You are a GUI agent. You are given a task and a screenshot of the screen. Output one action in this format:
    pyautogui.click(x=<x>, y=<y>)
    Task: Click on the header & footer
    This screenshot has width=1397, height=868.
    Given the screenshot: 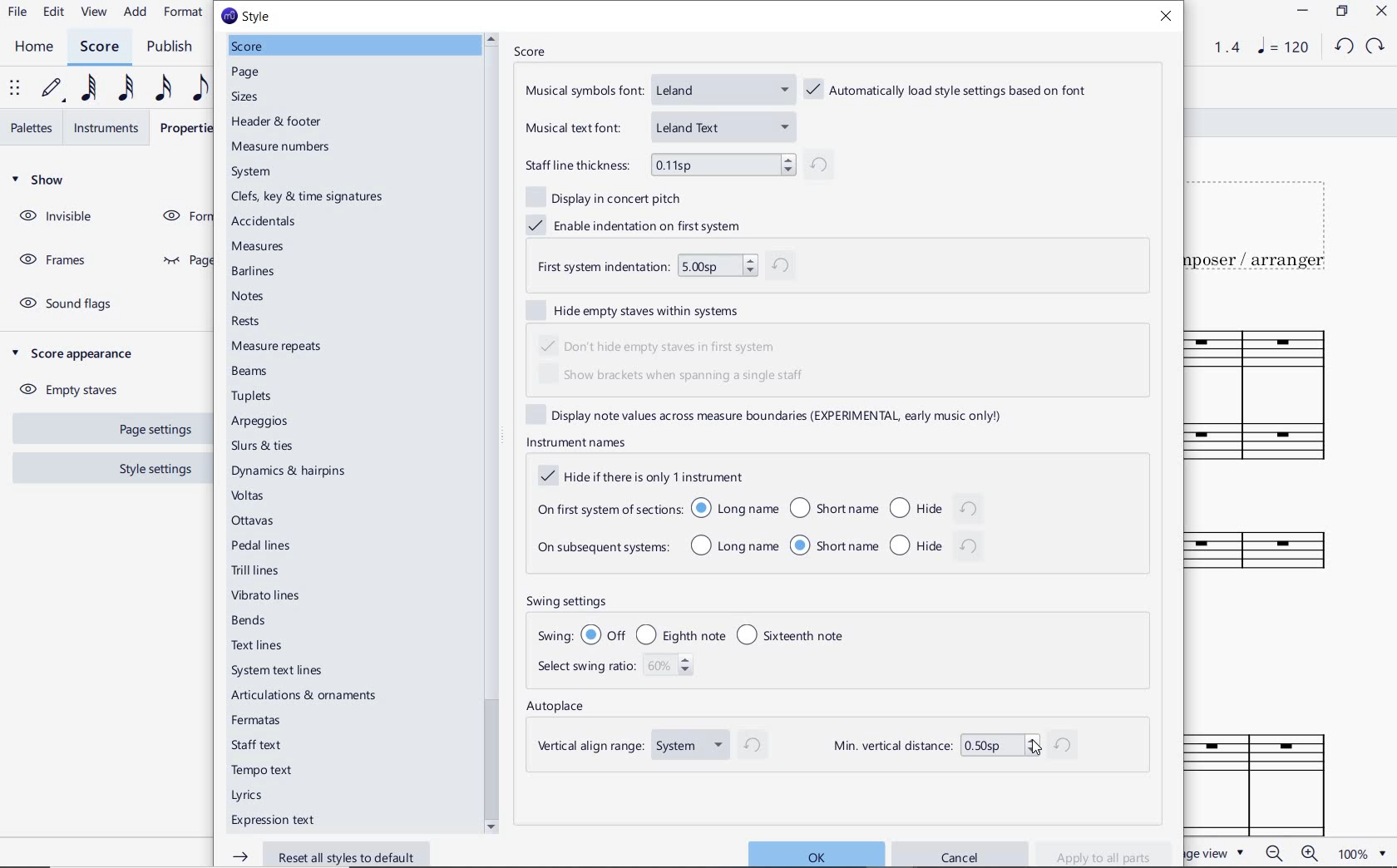 What is the action you would take?
    pyautogui.click(x=280, y=123)
    